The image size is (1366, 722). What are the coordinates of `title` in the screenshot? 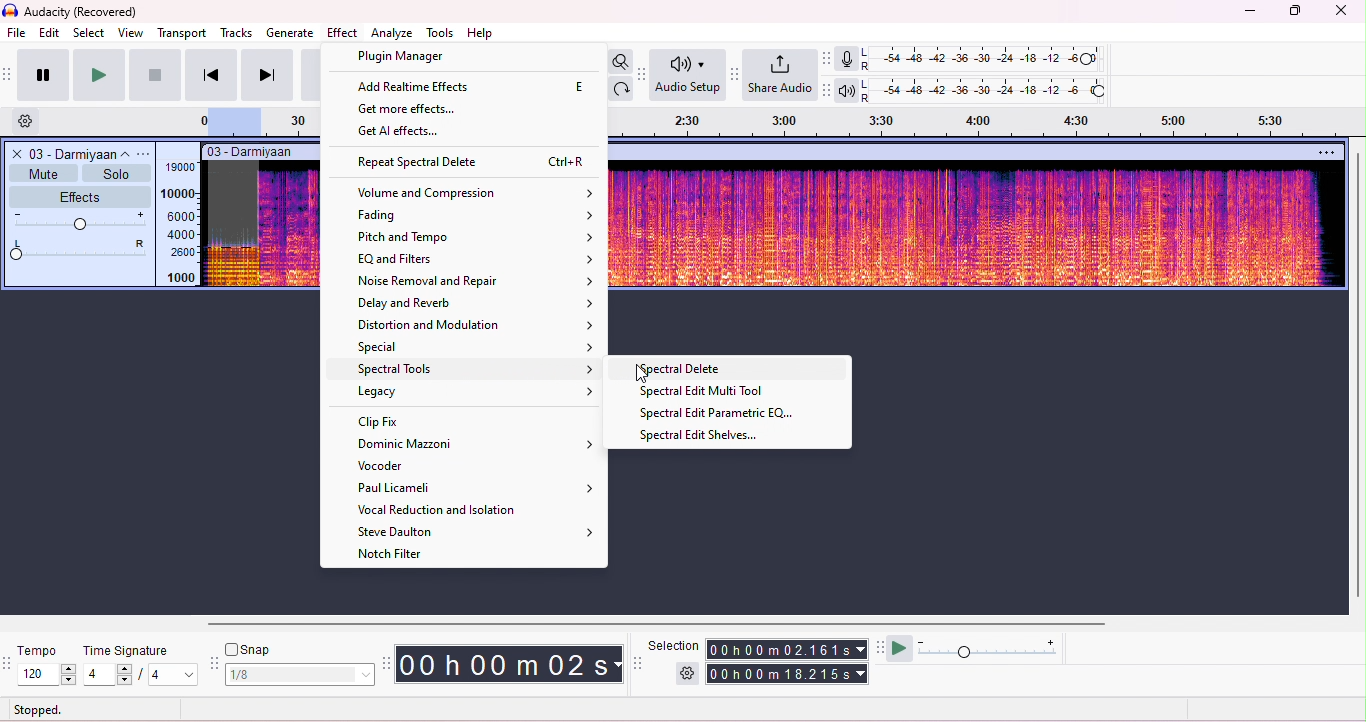 It's located at (73, 12).